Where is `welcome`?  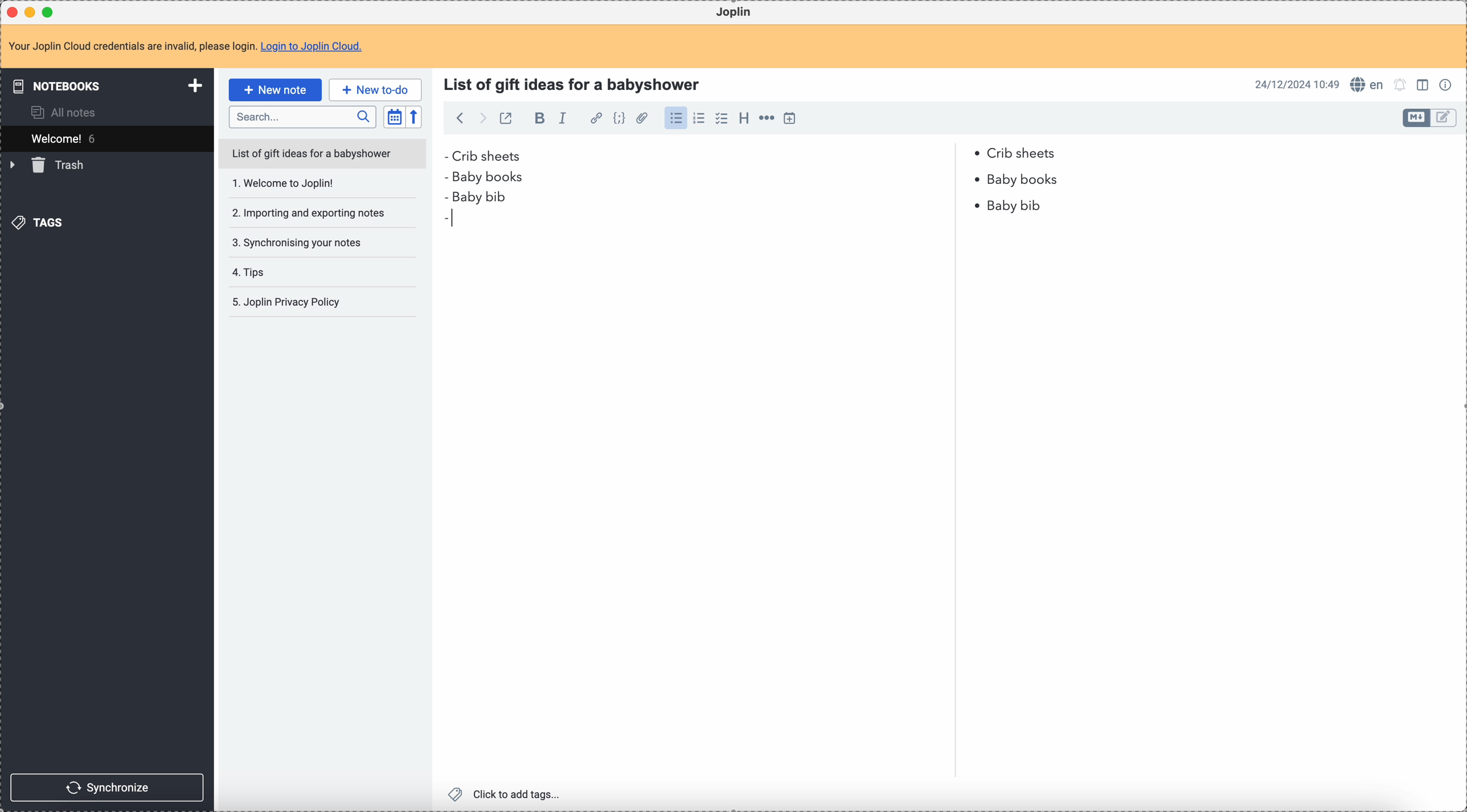 welcome is located at coordinates (106, 138).